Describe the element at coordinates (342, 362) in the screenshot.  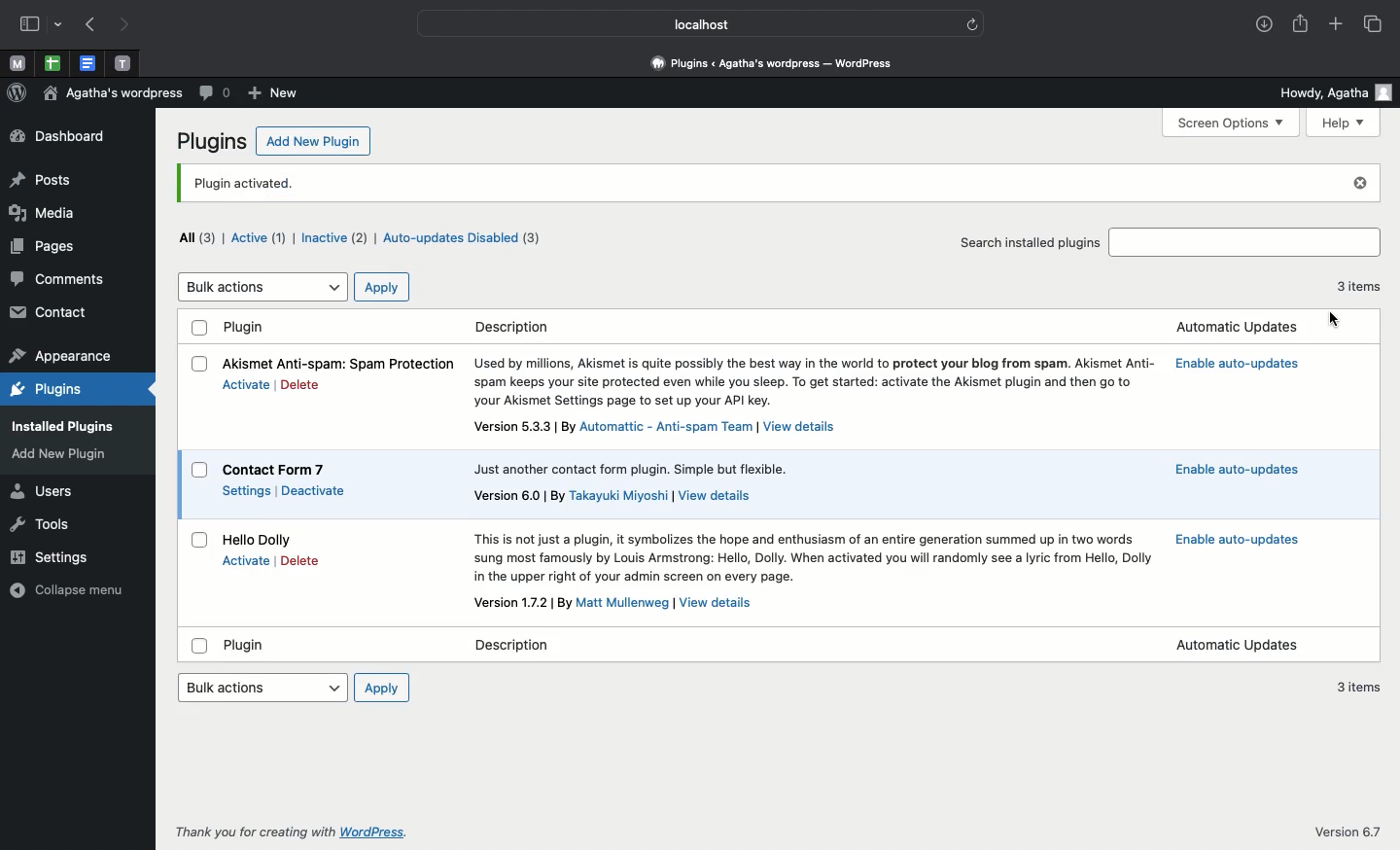
I see `Spam protection` at that location.